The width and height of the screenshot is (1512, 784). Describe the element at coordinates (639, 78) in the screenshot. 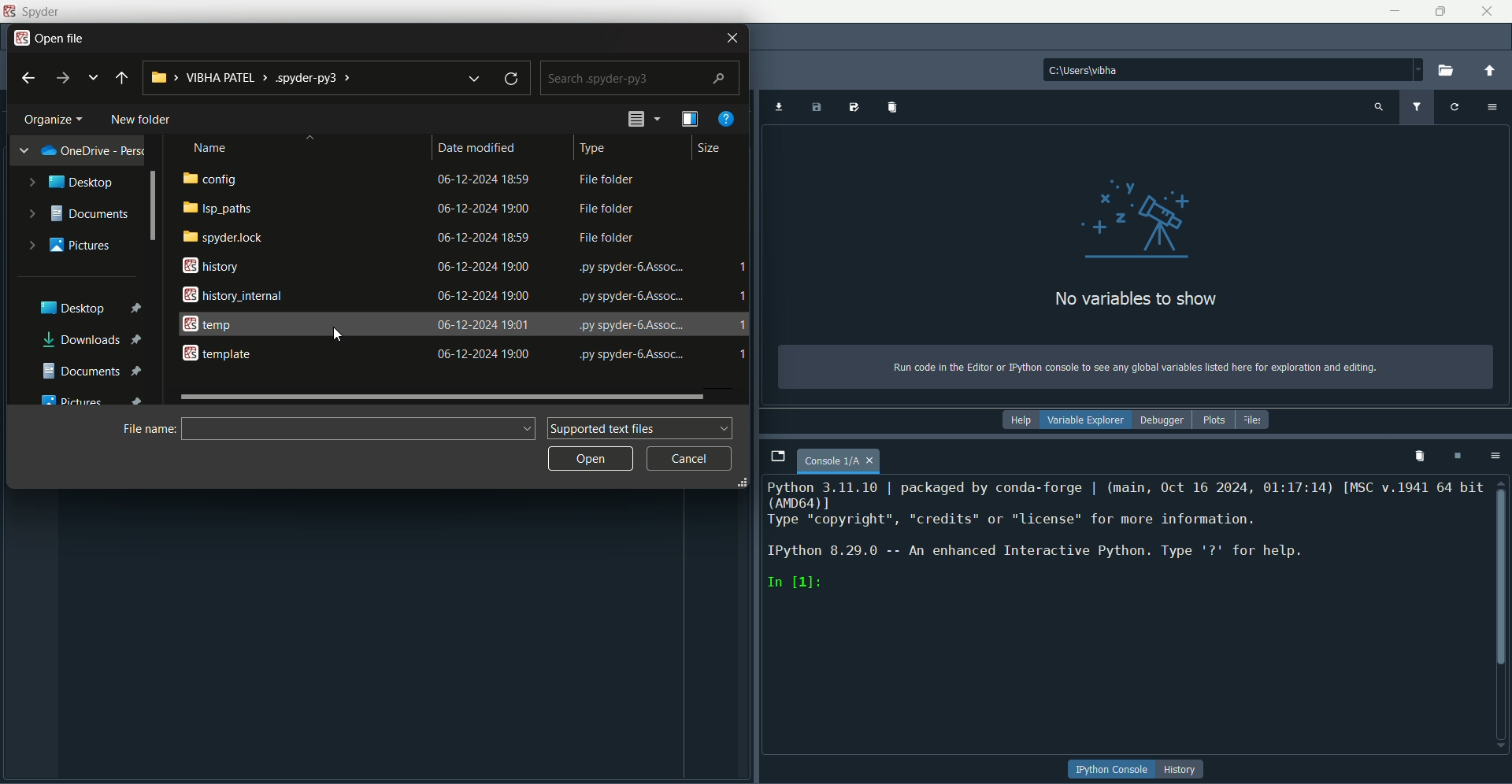

I see `search bar` at that location.